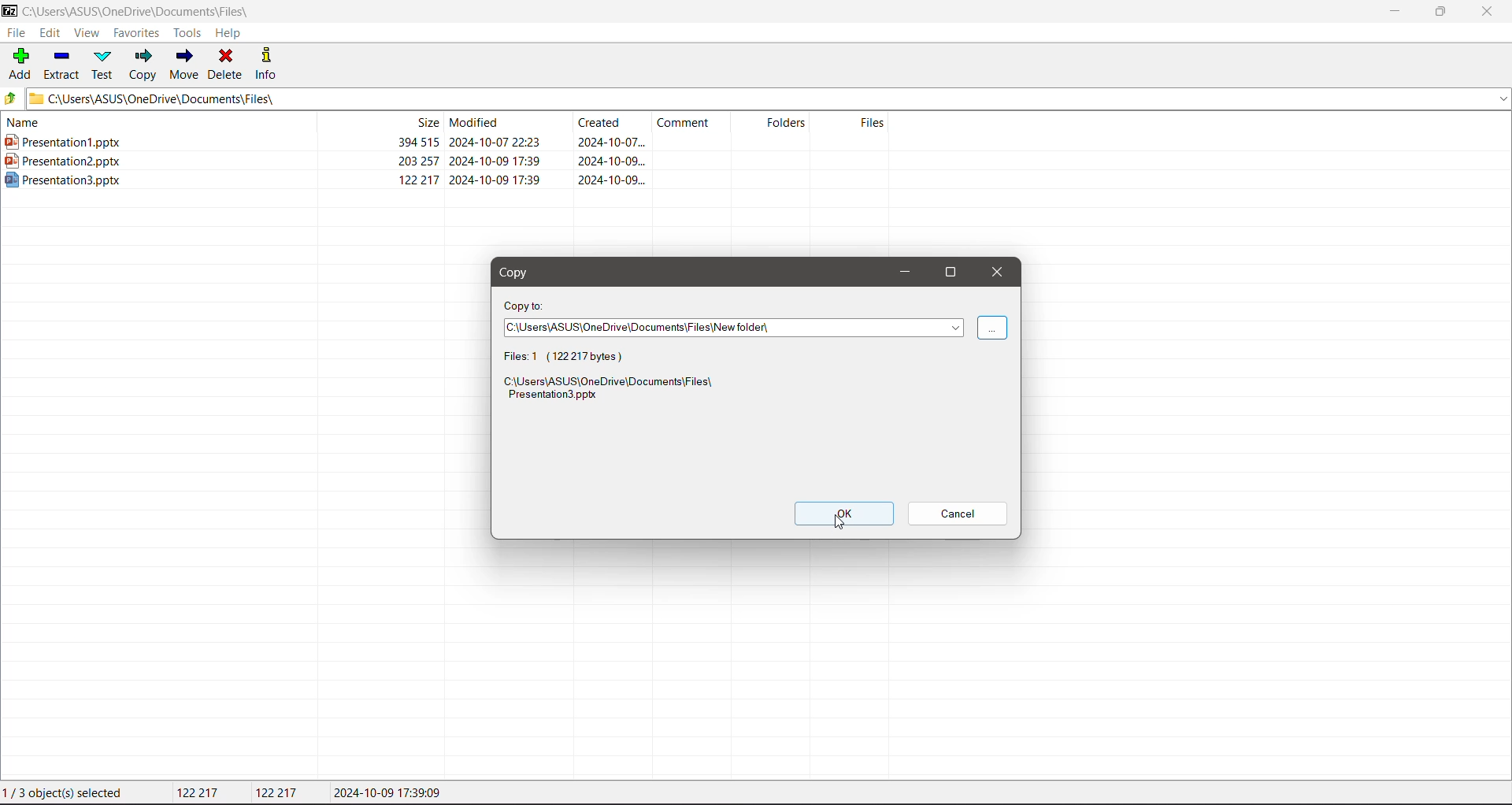 The image size is (1512, 805). Describe the element at coordinates (230, 34) in the screenshot. I see `Help` at that location.